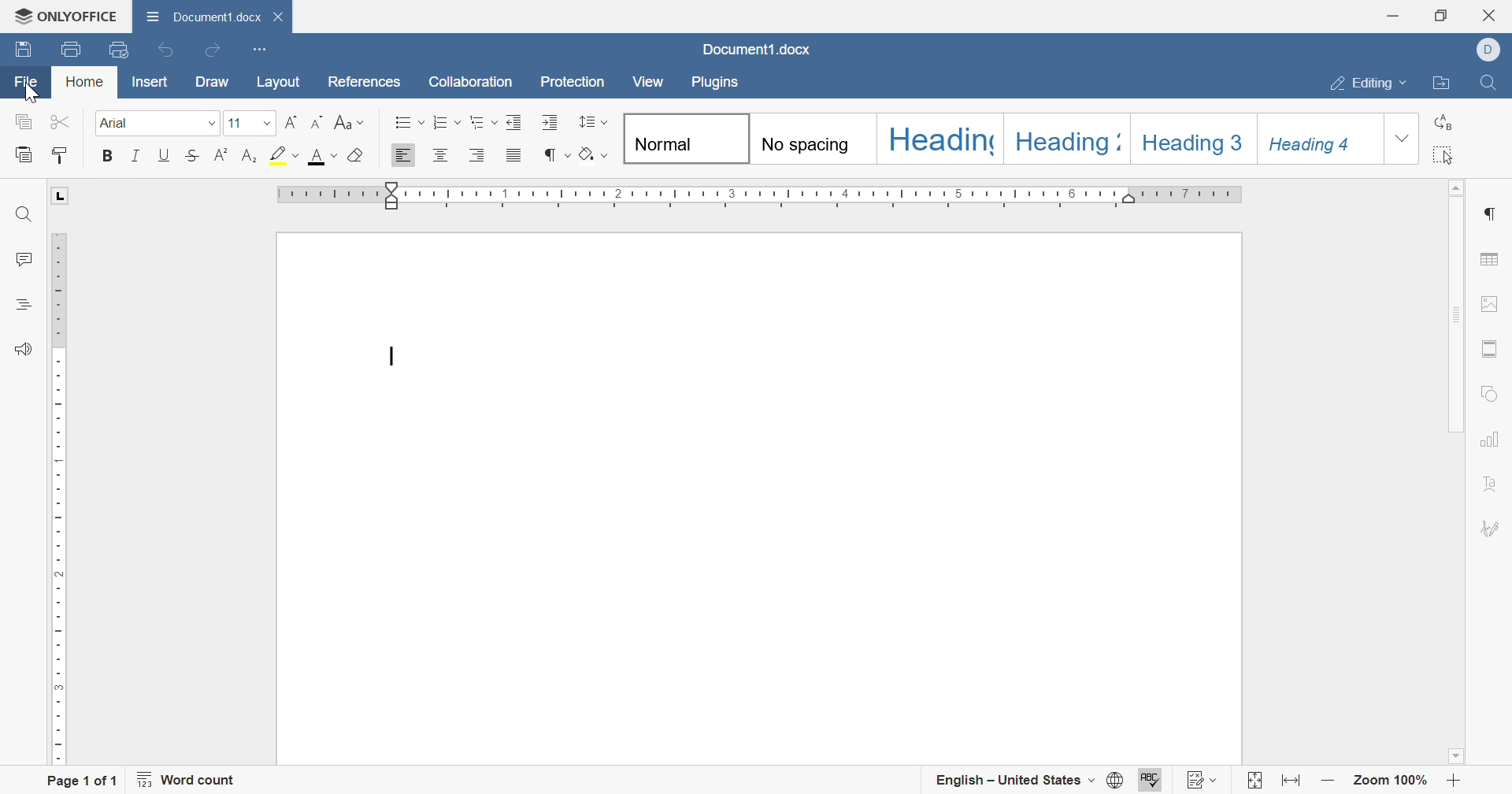 The width and height of the screenshot is (1512, 794). What do you see at coordinates (398, 355) in the screenshot?
I see `typing cursor` at bounding box center [398, 355].